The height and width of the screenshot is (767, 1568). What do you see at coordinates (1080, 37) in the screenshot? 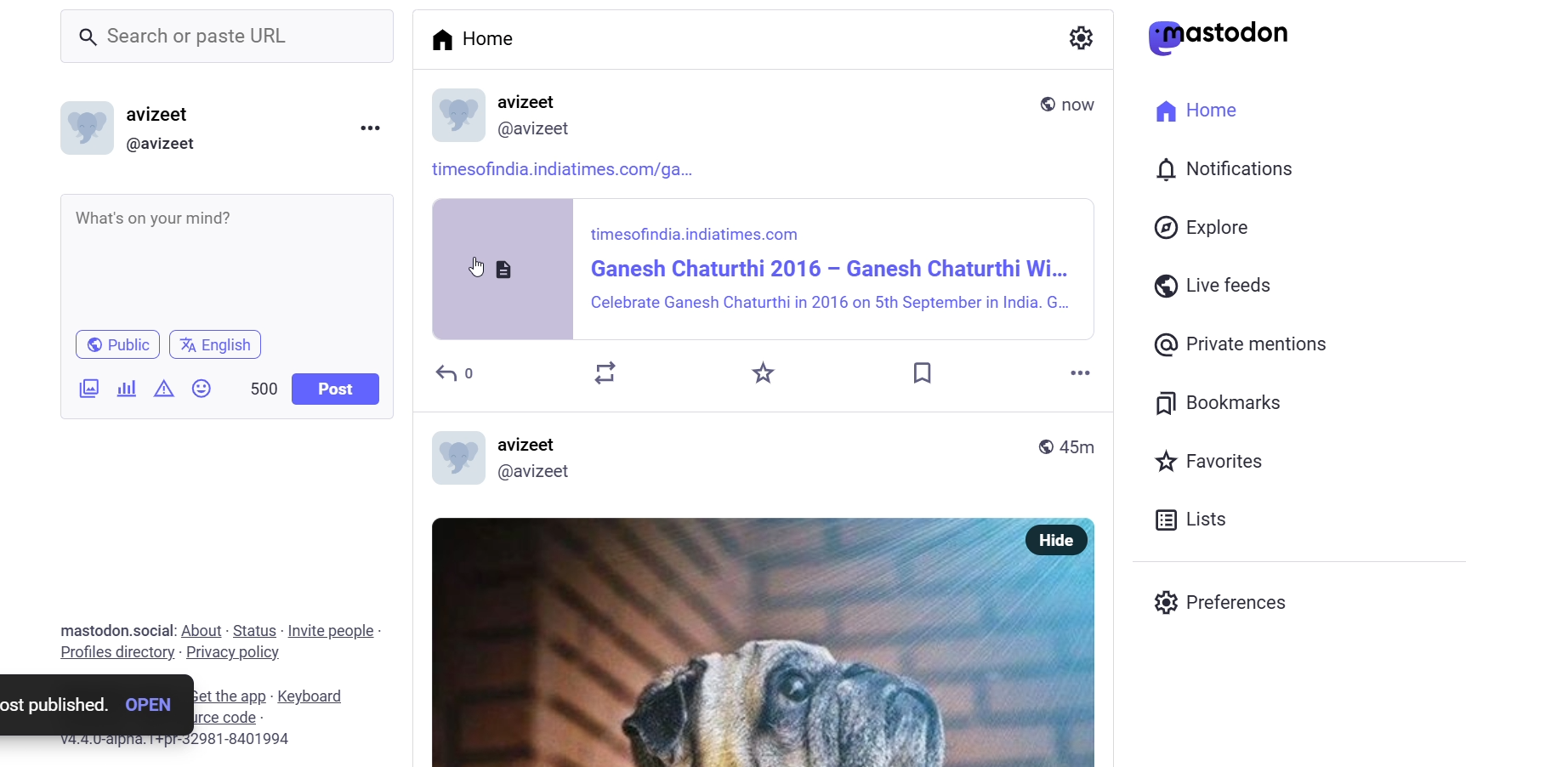
I see `a` at bounding box center [1080, 37].